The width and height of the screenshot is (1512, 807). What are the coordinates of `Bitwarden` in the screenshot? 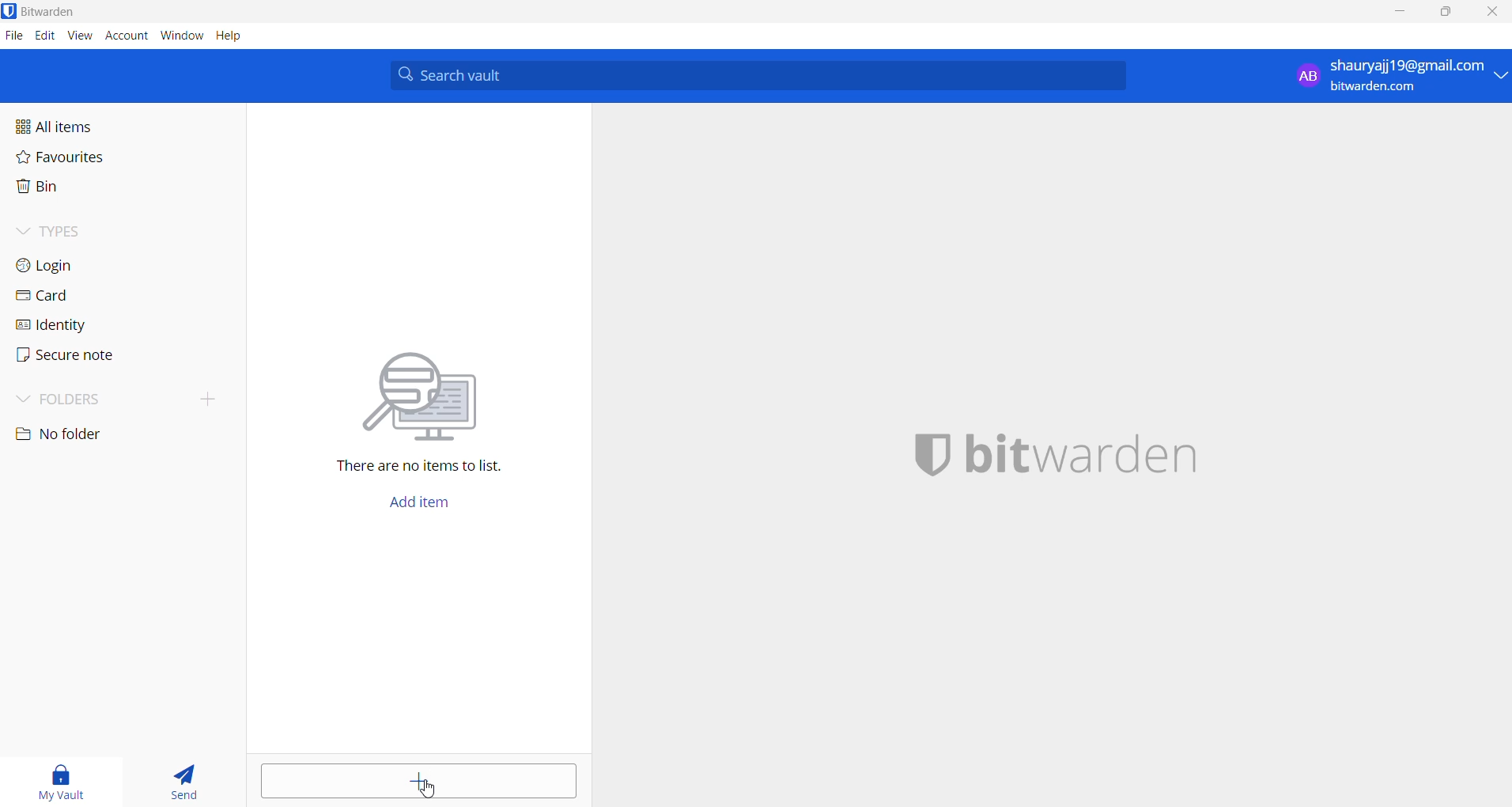 It's located at (1089, 453).